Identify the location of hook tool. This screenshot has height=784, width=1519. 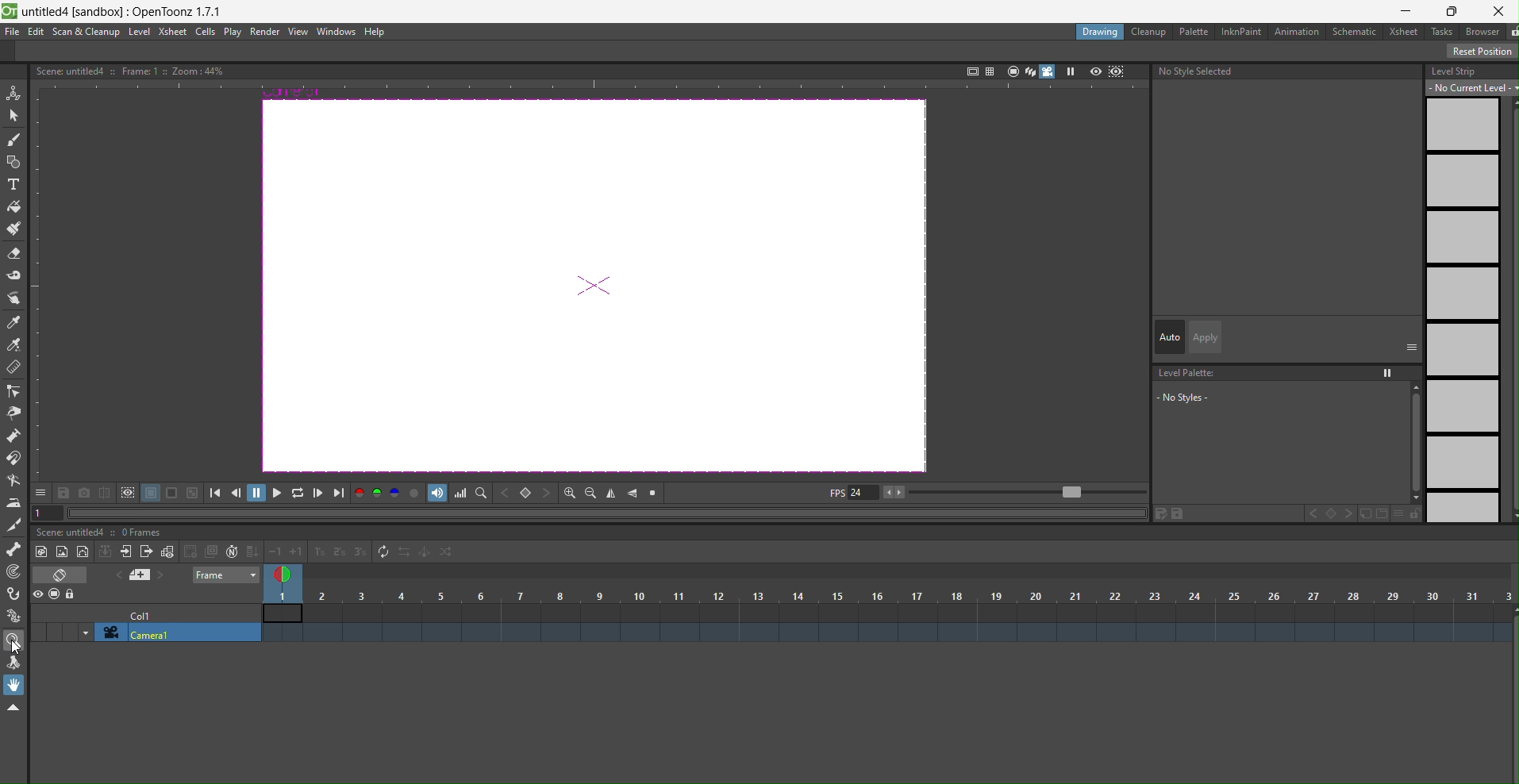
(14, 594).